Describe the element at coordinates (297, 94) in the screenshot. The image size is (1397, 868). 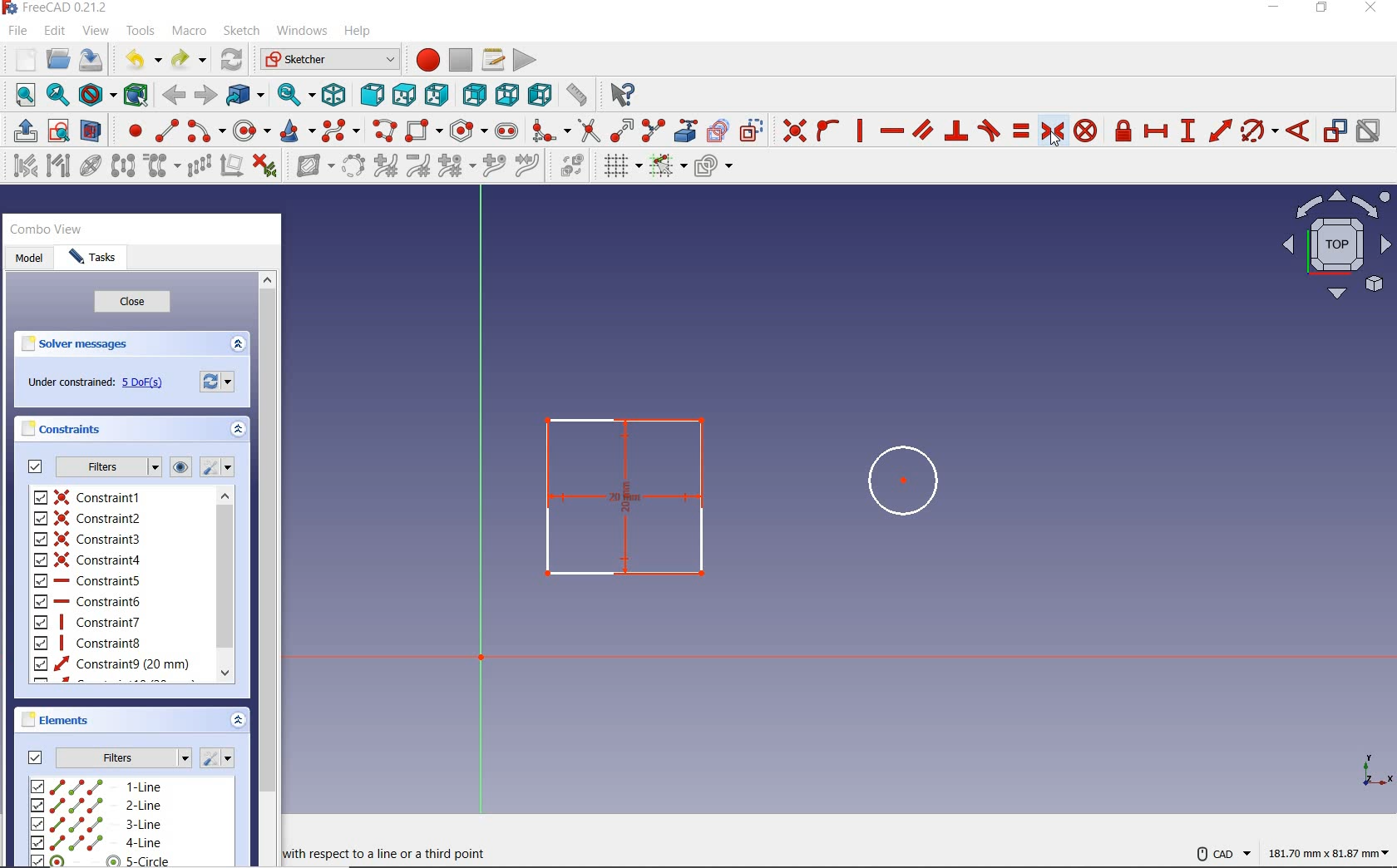
I see `sync view` at that location.